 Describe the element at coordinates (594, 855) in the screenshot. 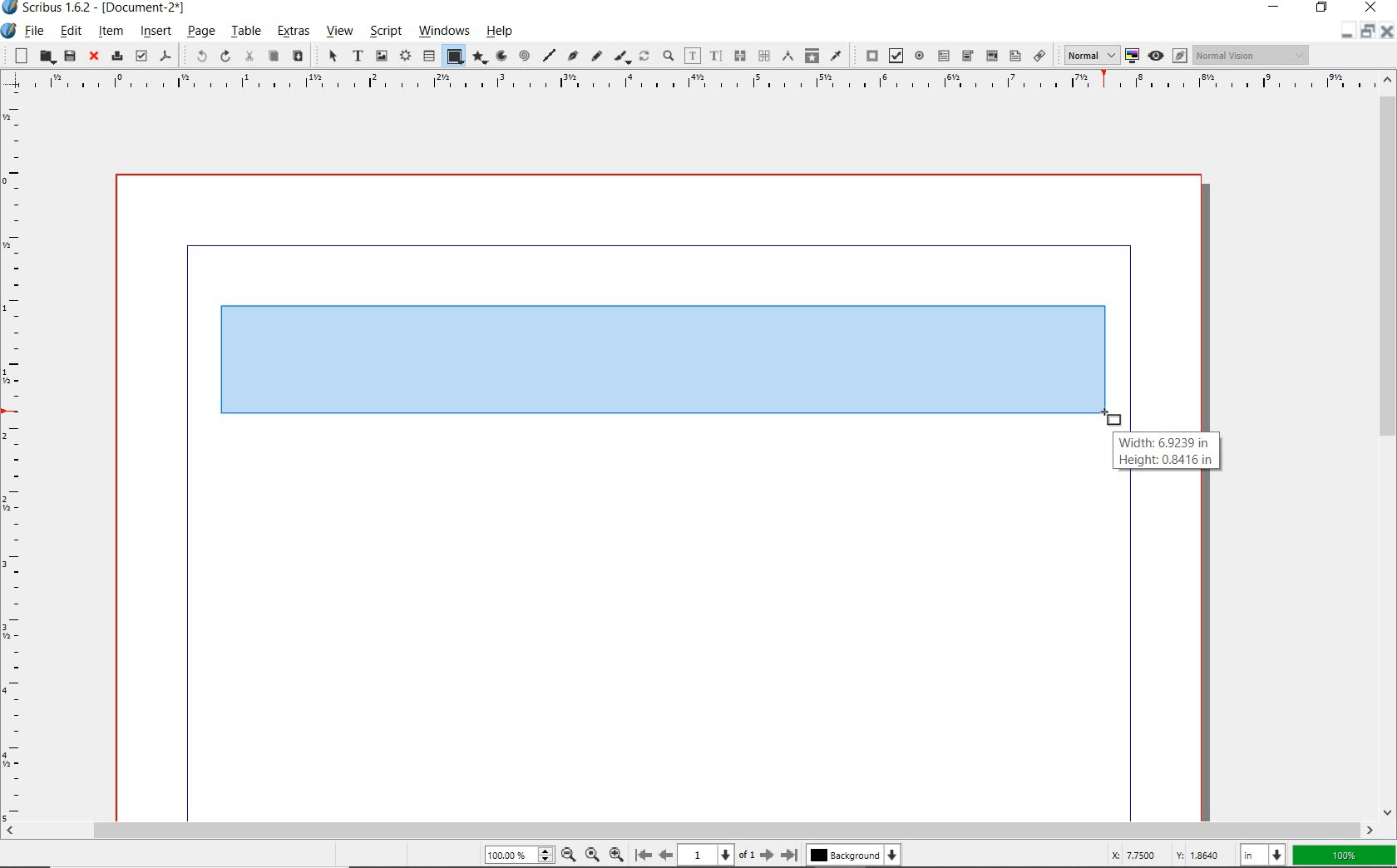

I see `zoom to` at that location.